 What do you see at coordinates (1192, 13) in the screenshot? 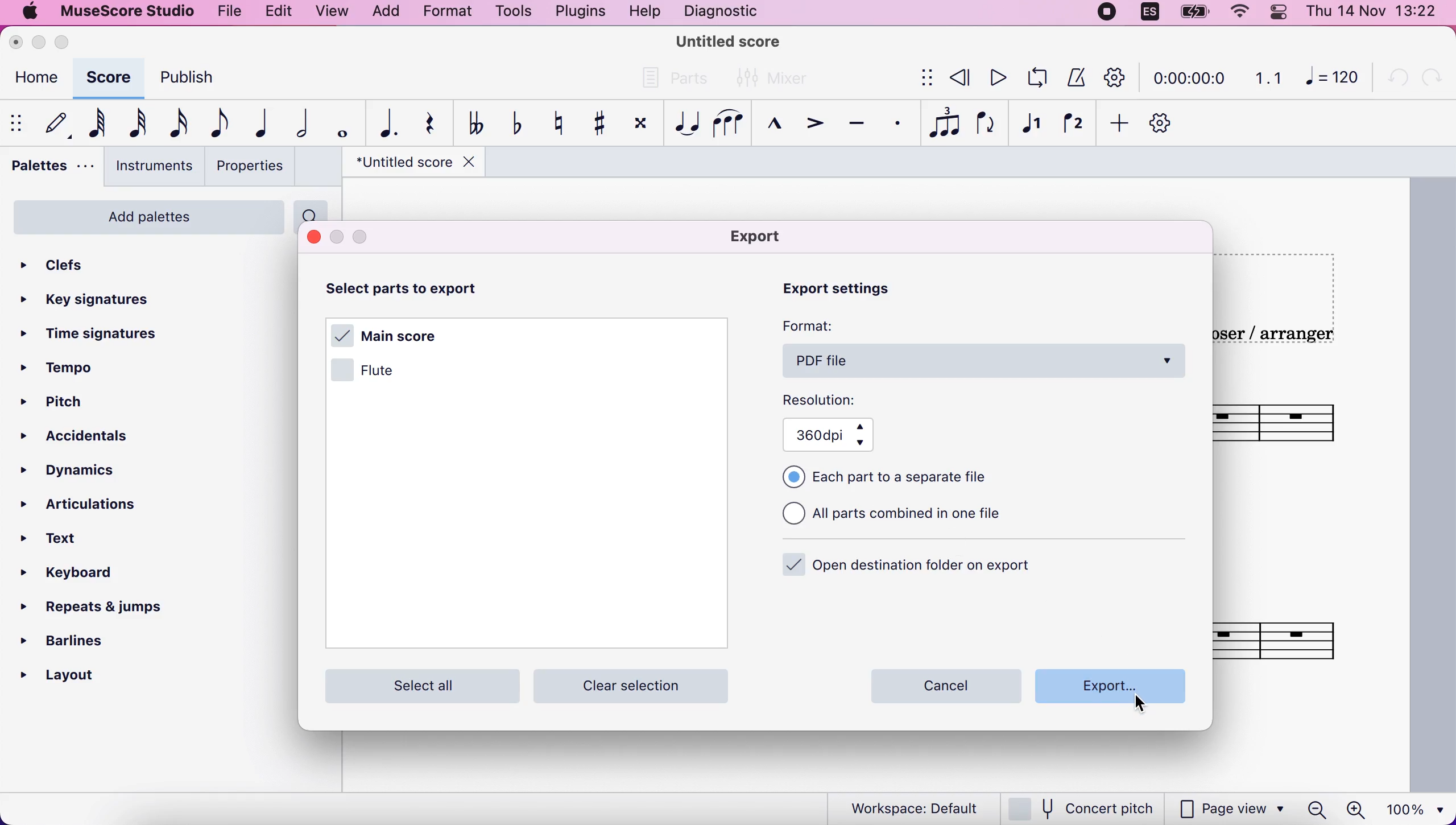
I see `battery` at bounding box center [1192, 13].